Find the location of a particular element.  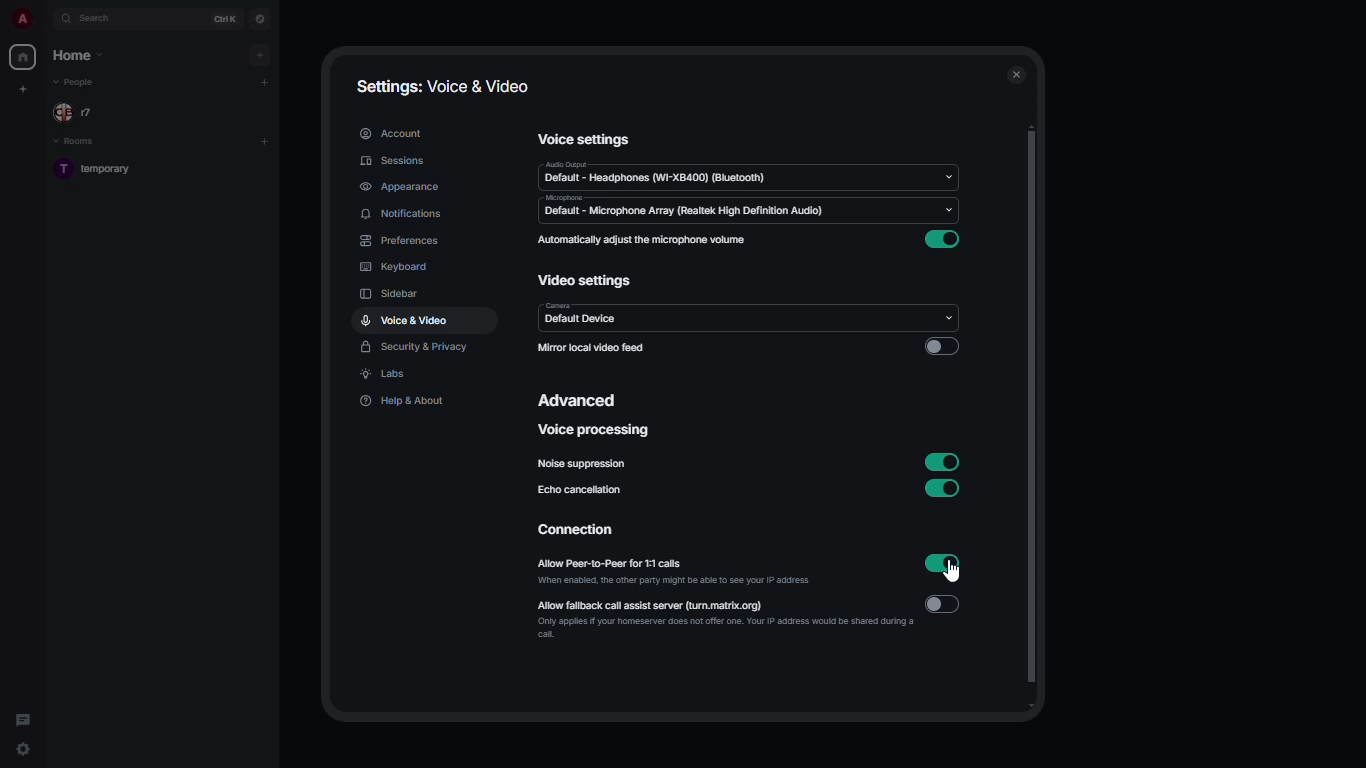

video settings is located at coordinates (584, 283).